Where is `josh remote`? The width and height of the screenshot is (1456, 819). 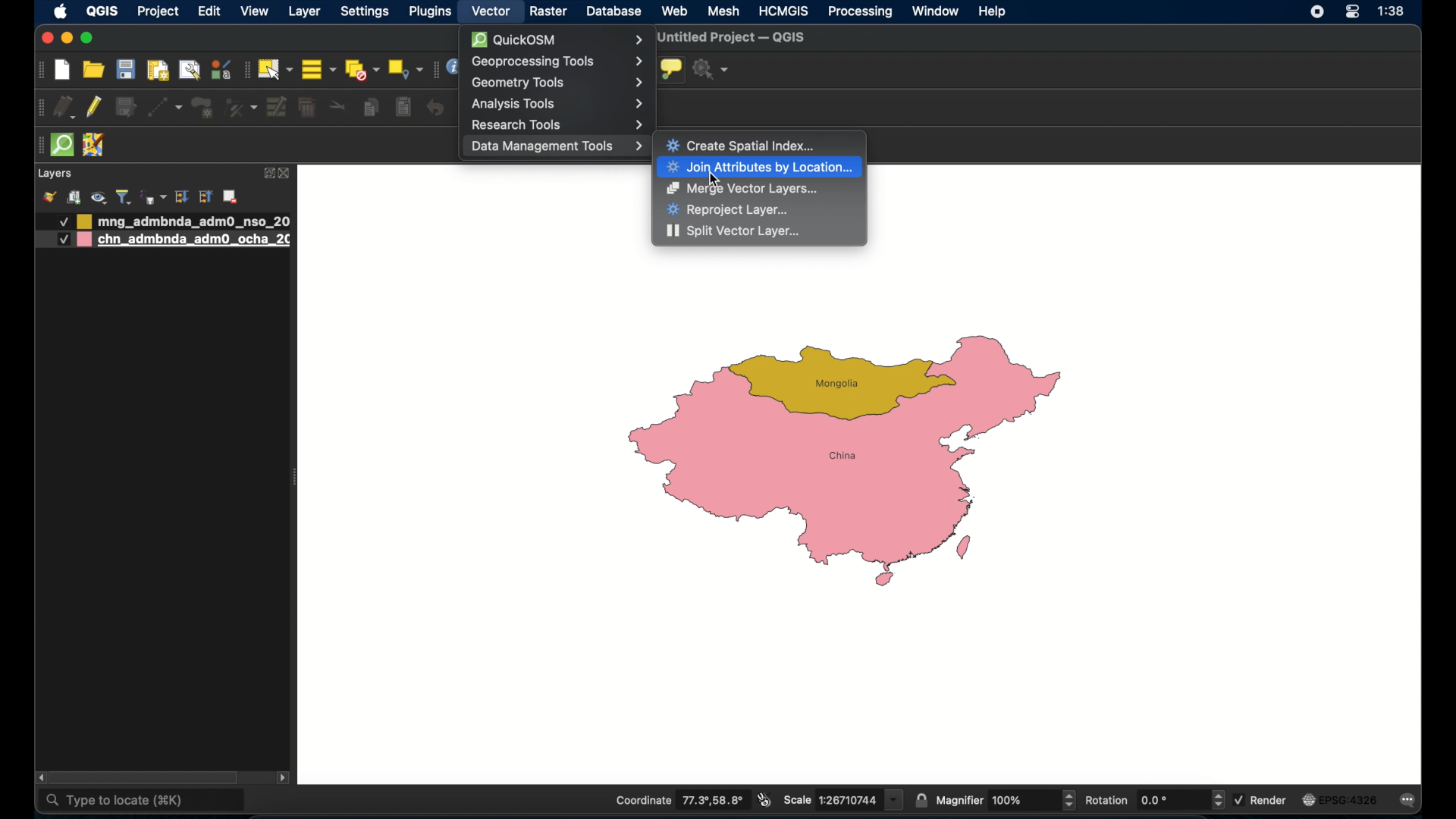
josh remote is located at coordinates (95, 146).